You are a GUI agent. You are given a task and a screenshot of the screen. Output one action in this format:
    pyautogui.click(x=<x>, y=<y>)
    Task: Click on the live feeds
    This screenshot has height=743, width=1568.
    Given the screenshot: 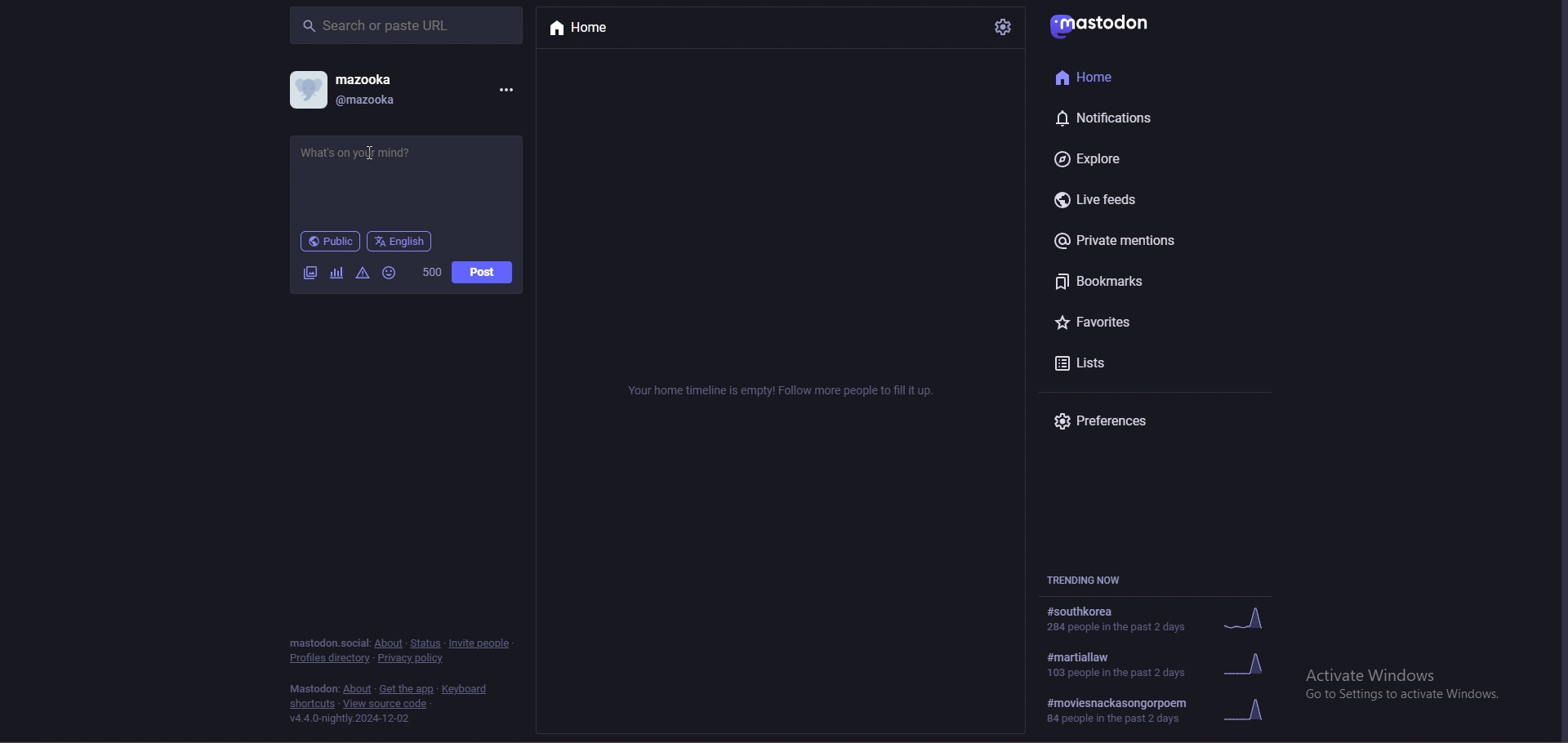 What is the action you would take?
    pyautogui.click(x=1143, y=200)
    